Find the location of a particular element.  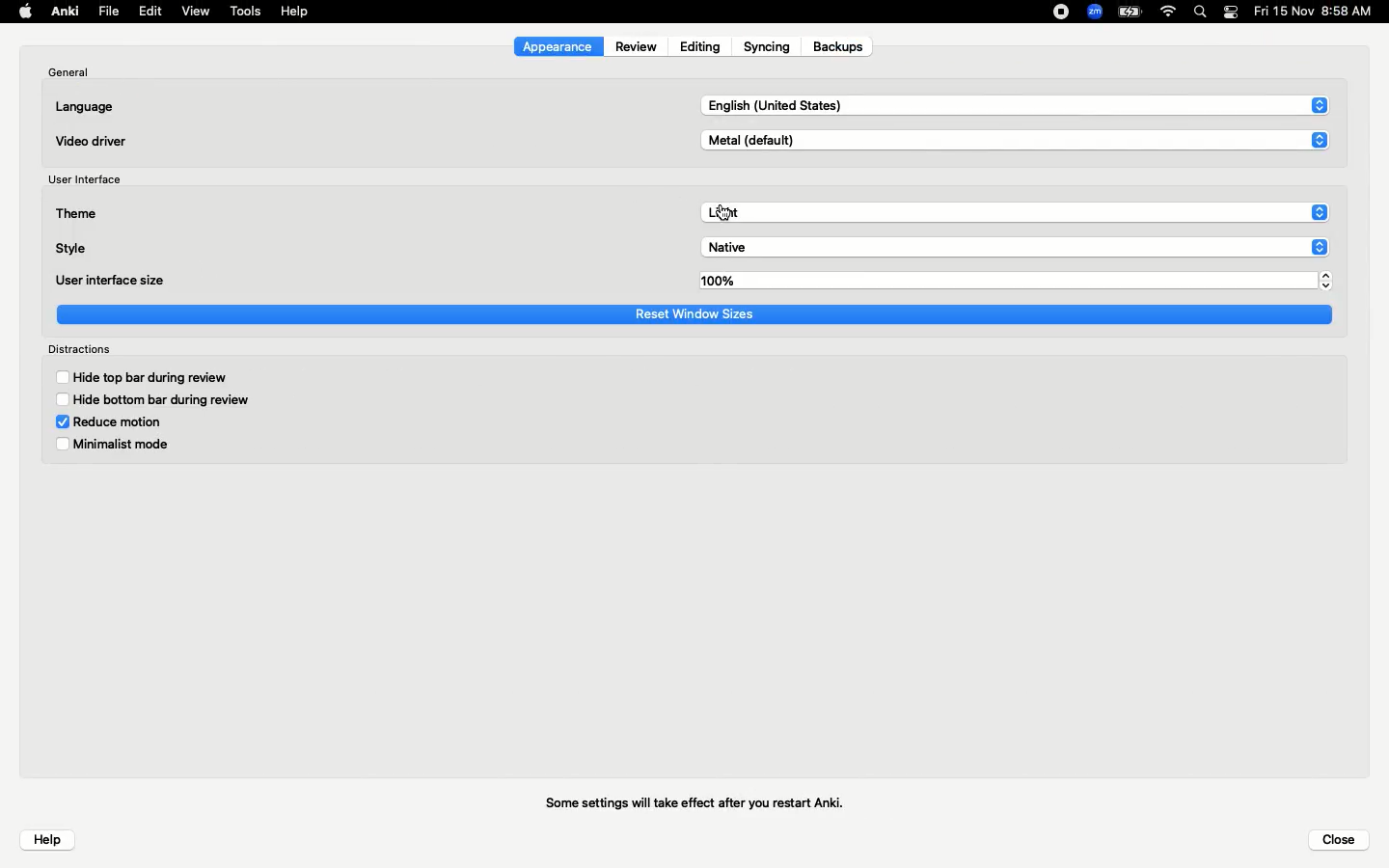

Minimalist mode is located at coordinates (117, 443).